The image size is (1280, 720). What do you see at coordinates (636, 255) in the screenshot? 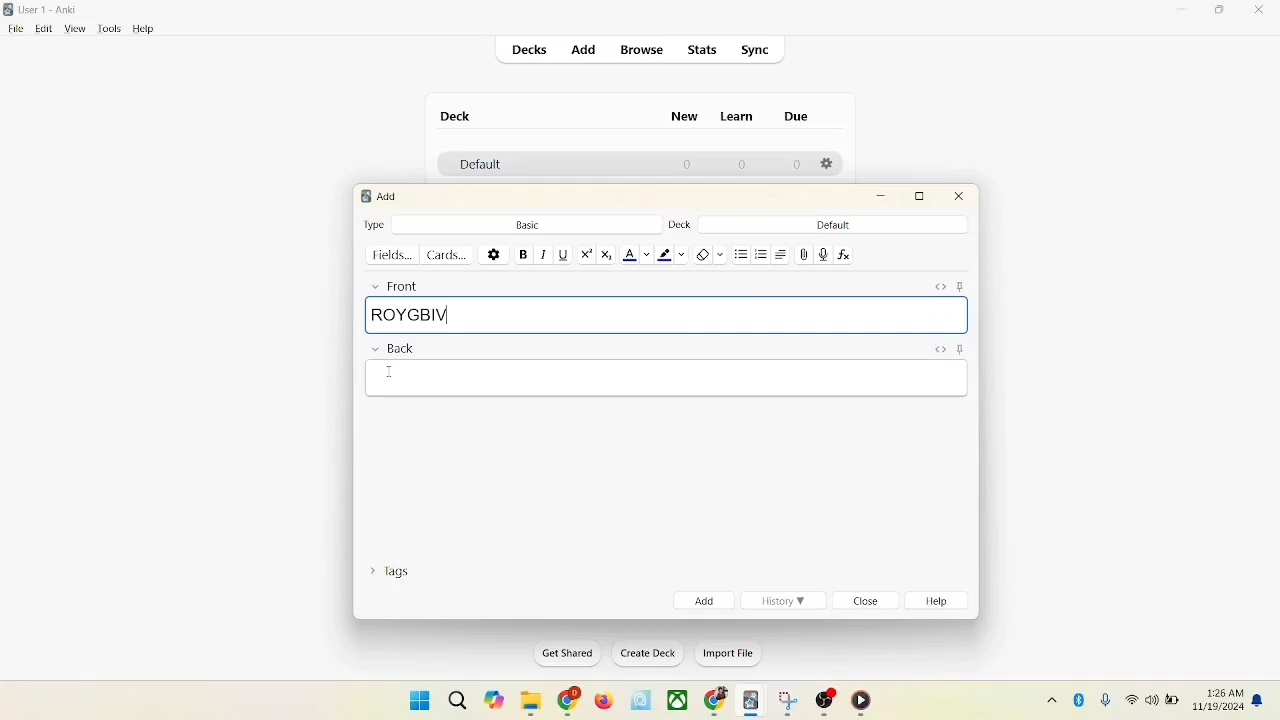
I see `text color` at bounding box center [636, 255].